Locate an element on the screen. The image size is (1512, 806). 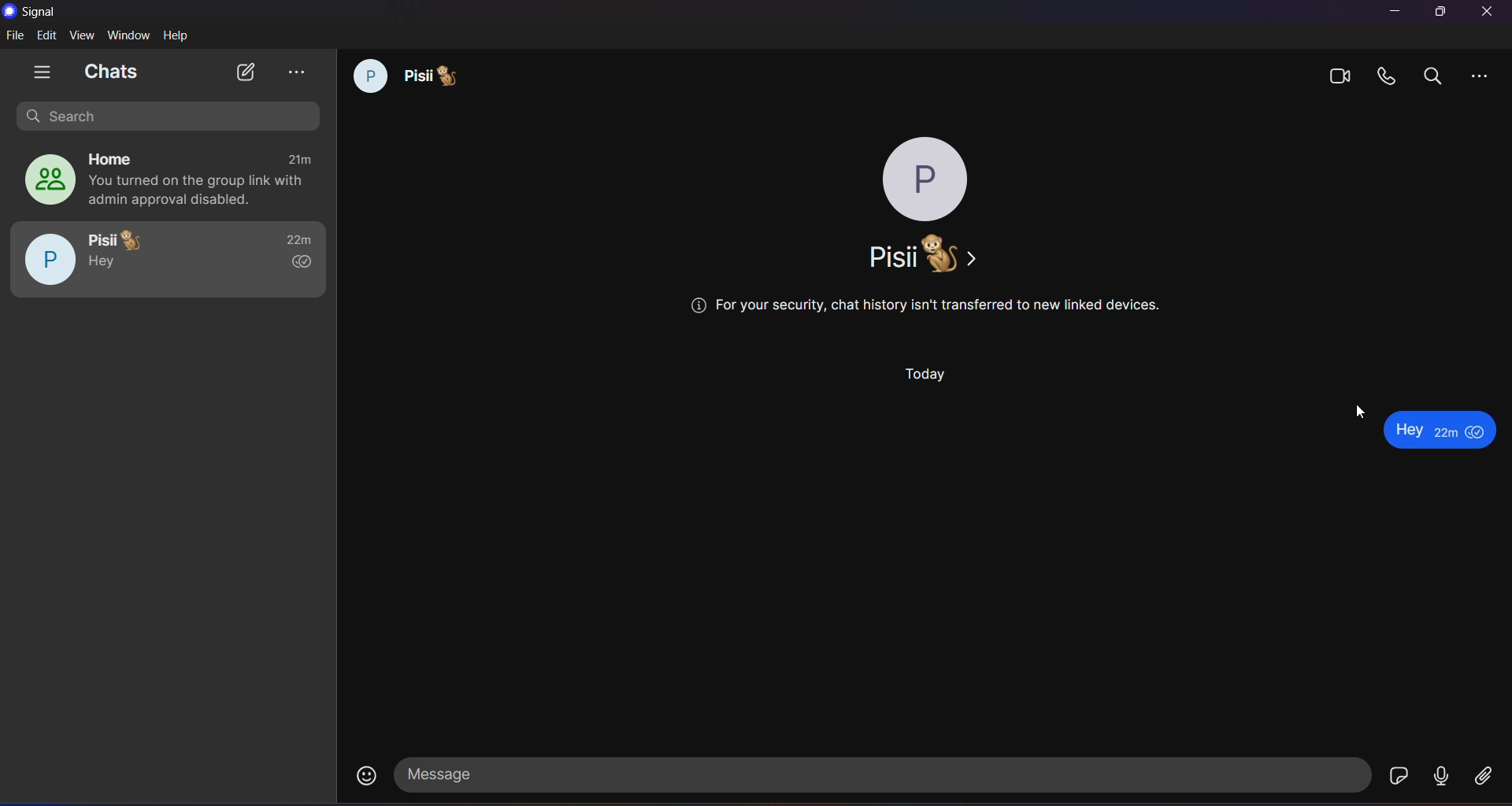
file is located at coordinates (16, 36).